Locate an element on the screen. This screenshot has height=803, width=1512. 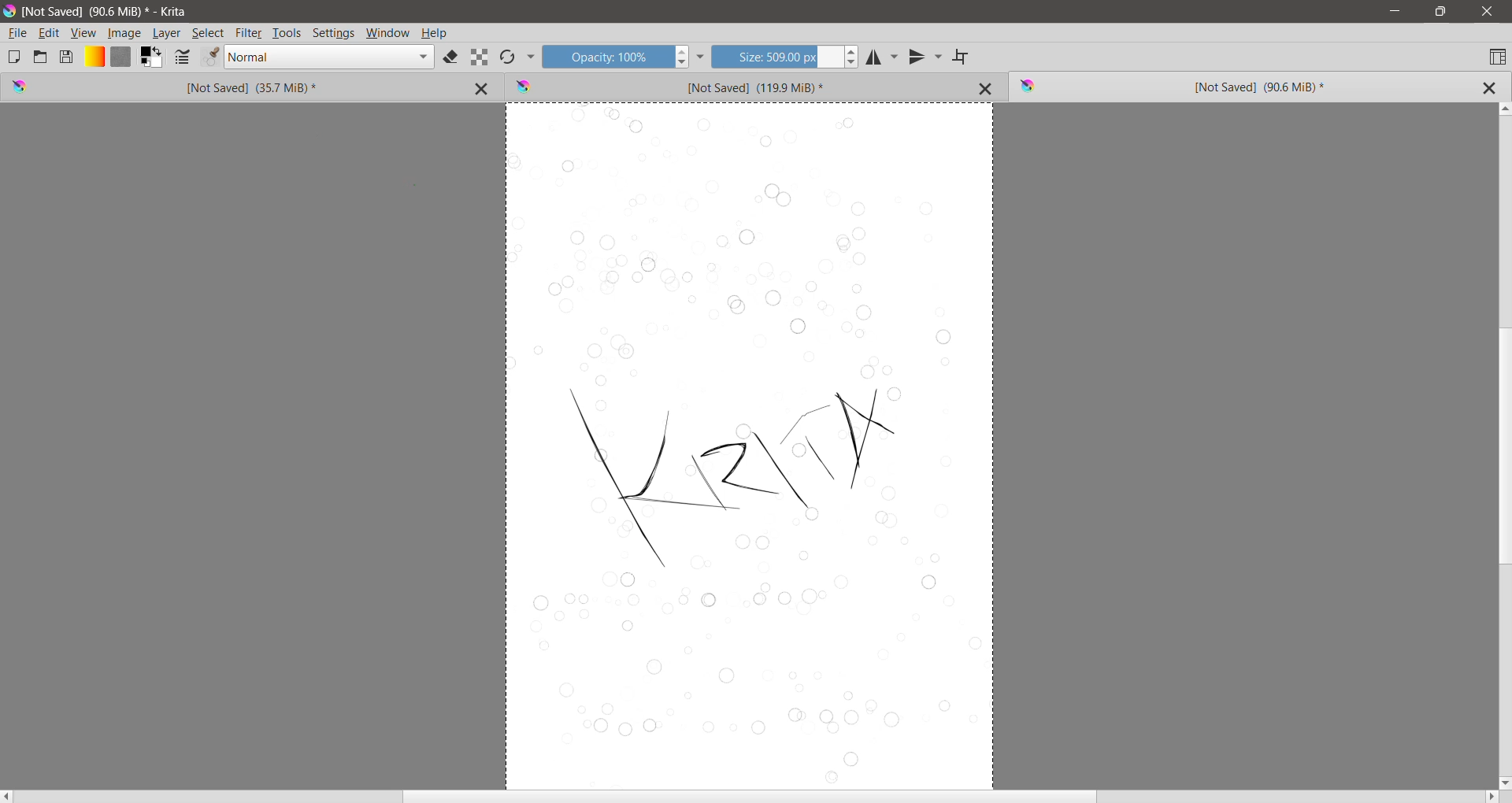
Image is located at coordinates (124, 34).